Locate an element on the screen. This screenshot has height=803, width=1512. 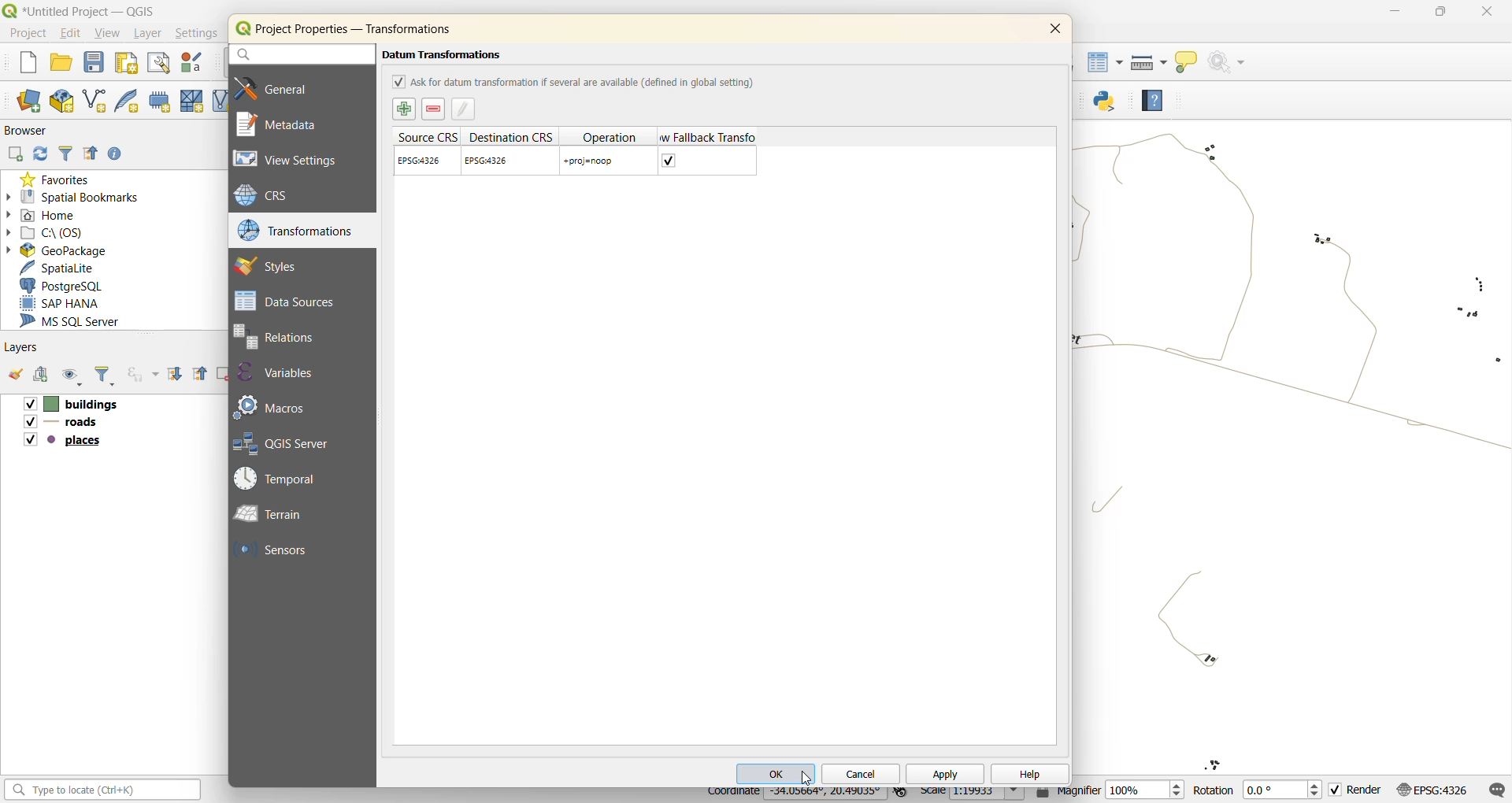
destination crs is located at coordinates (510, 135).